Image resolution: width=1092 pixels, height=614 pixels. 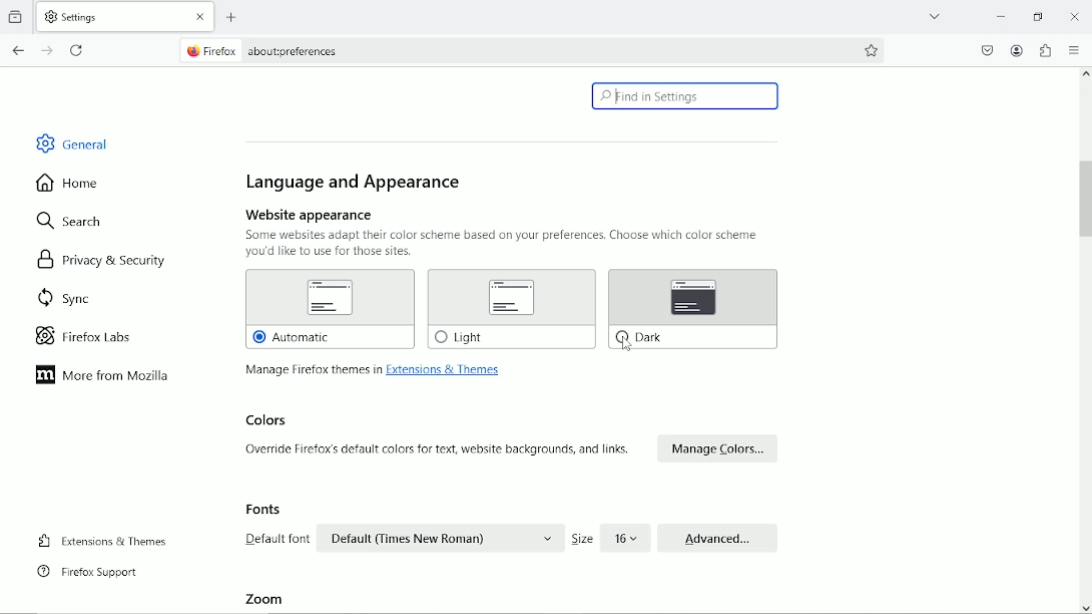 What do you see at coordinates (103, 380) in the screenshot?
I see `More from mozilla` at bounding box center [103, 380].